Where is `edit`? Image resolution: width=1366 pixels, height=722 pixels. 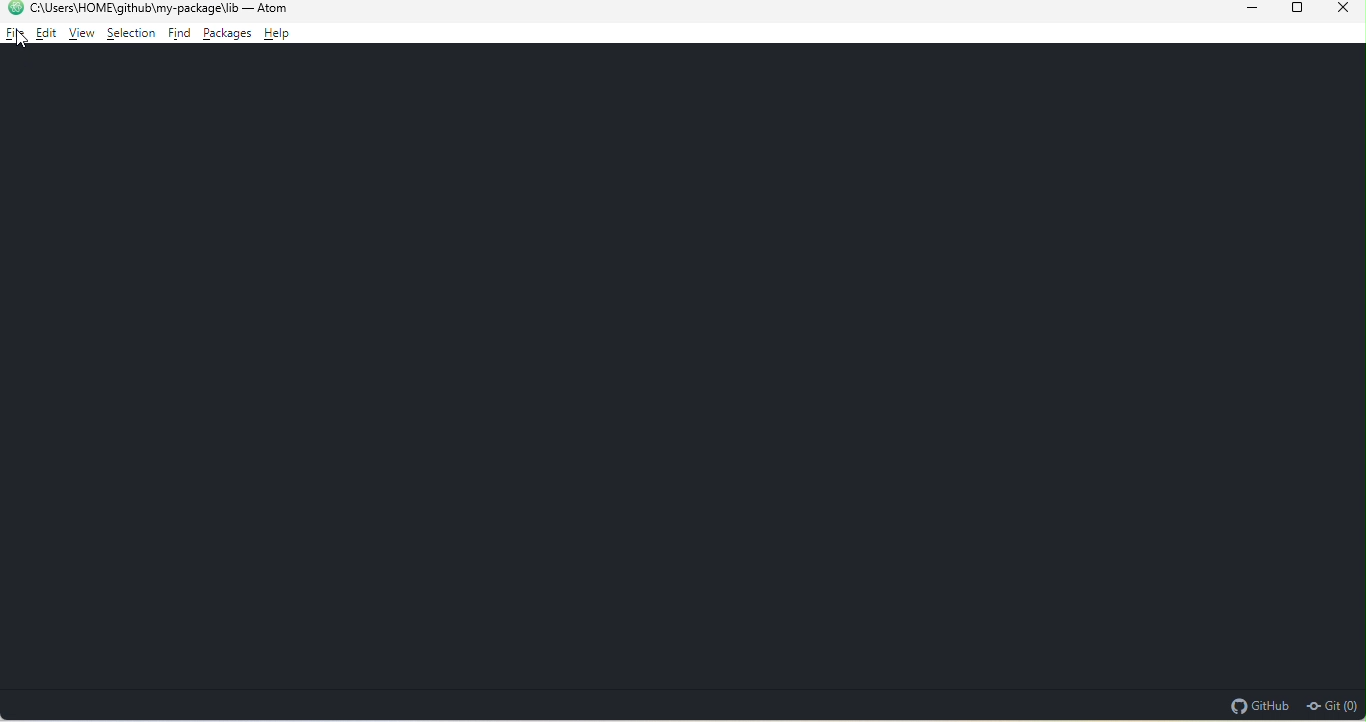
edit is located at coordinates (45, 34).